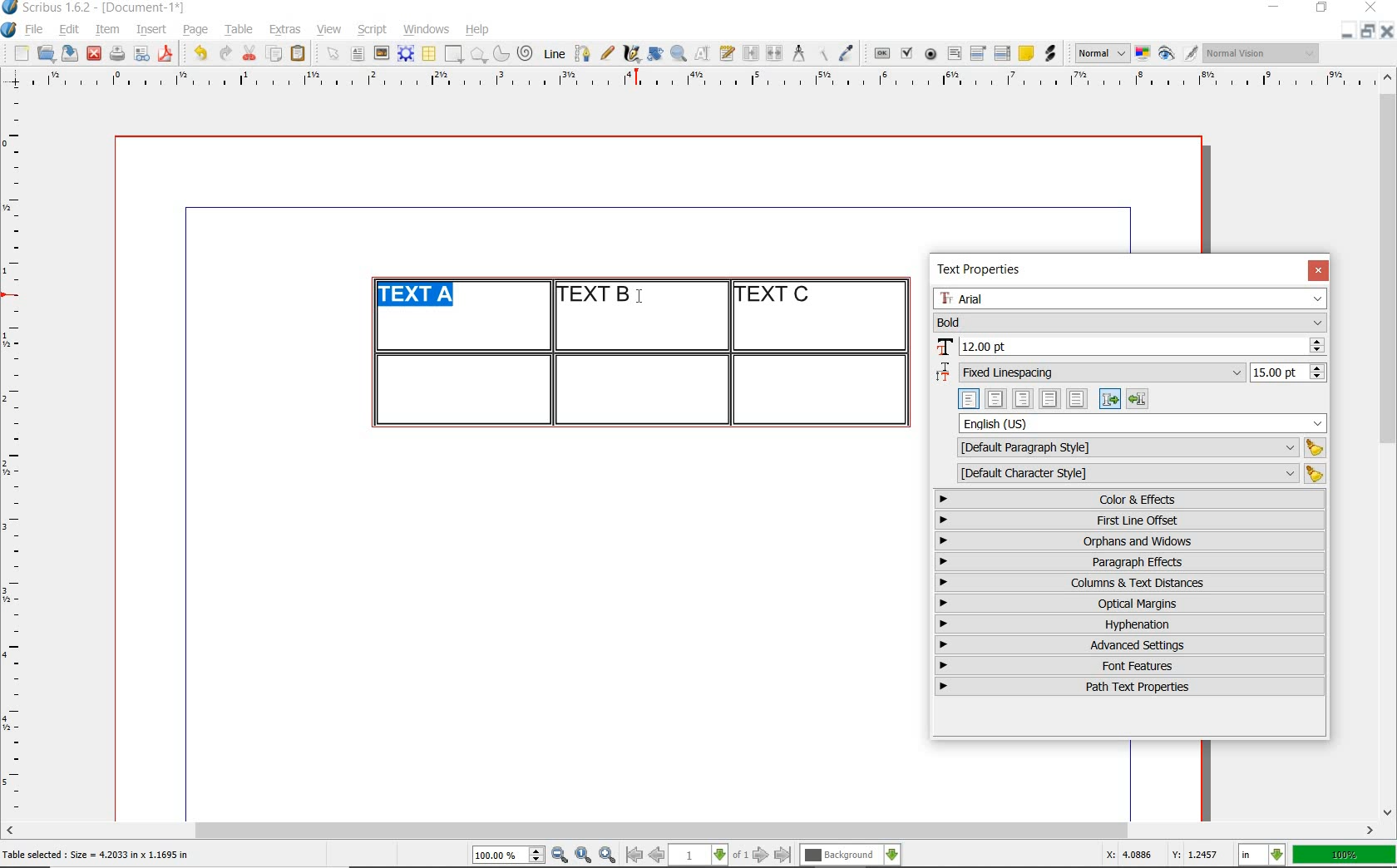 This screenshot has width=1397, height=868. I want to click on color & effects, so click(1132, 499).